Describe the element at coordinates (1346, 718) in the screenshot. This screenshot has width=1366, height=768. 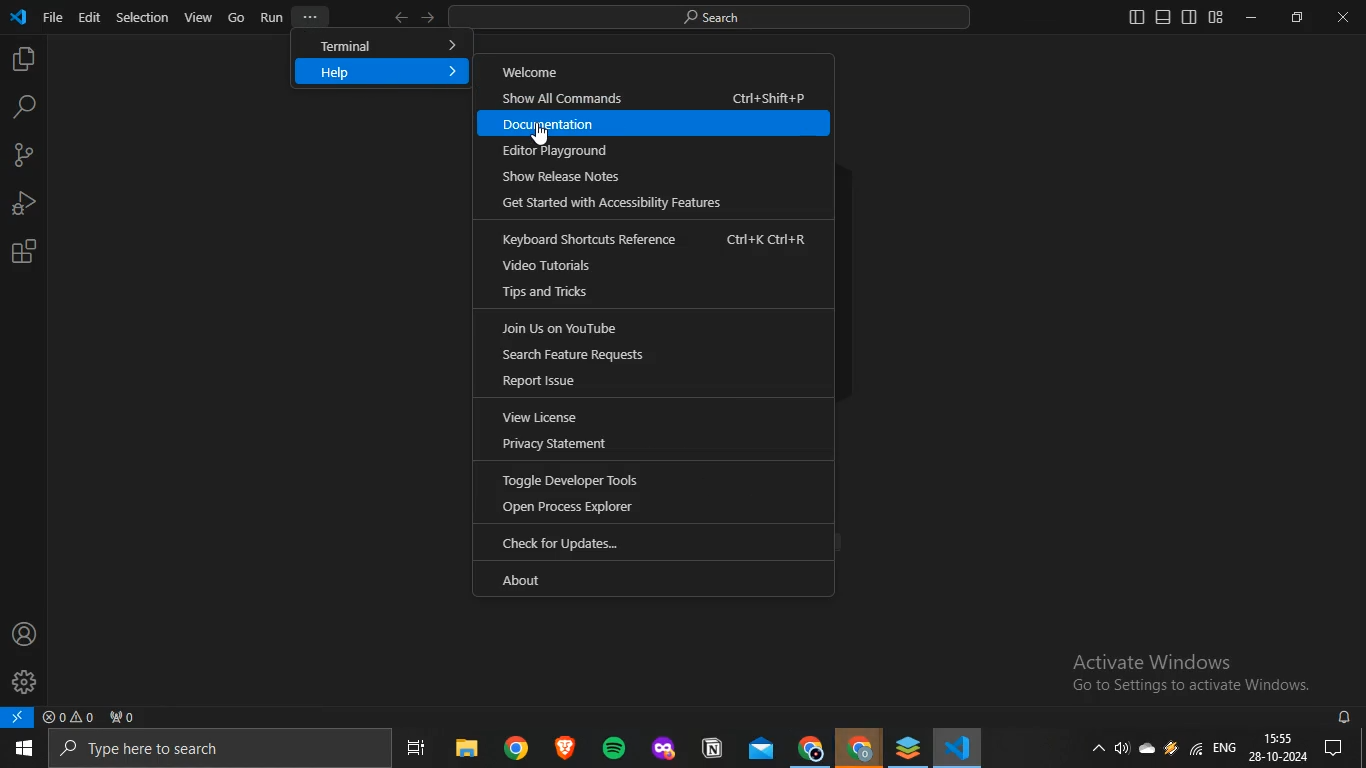
I see `notifications` at that location.